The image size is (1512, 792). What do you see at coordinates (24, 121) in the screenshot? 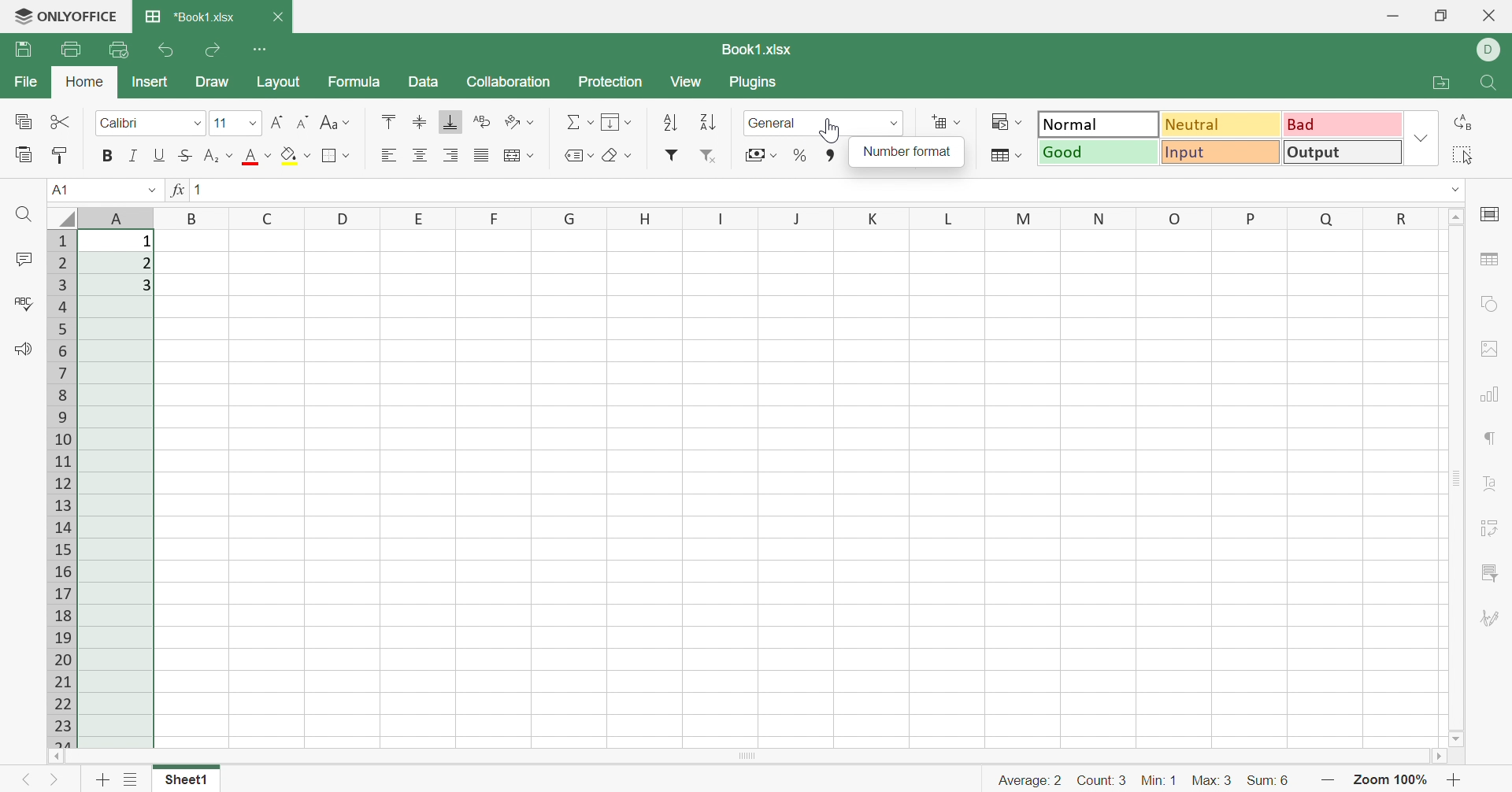
I see `Copy` at bounding box center [24, 121].